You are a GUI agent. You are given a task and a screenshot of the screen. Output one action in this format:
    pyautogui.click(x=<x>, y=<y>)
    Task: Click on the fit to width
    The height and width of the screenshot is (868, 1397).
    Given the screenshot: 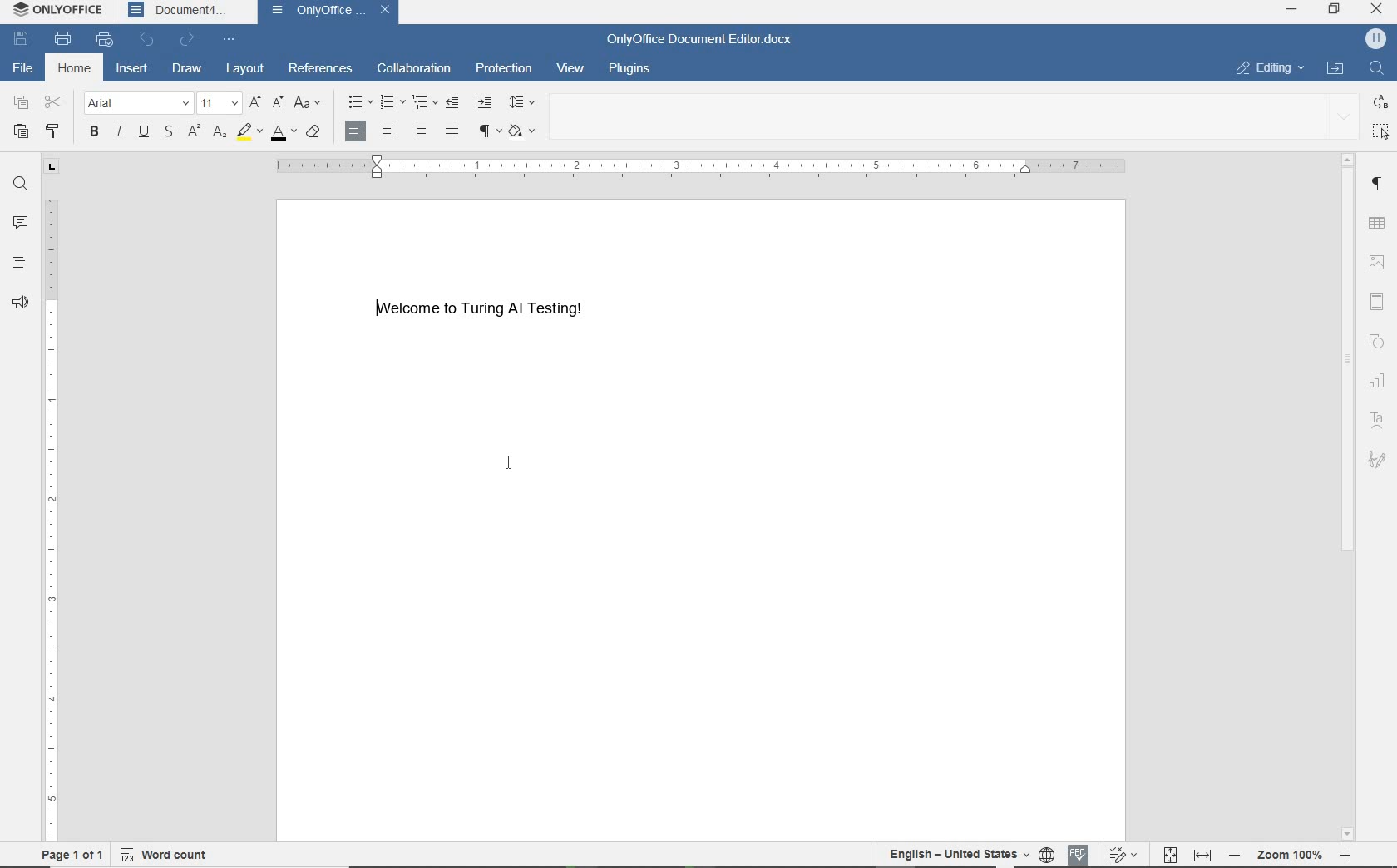 What is the action you would take?
    pyautogui.click(x=1203, y=856)
    